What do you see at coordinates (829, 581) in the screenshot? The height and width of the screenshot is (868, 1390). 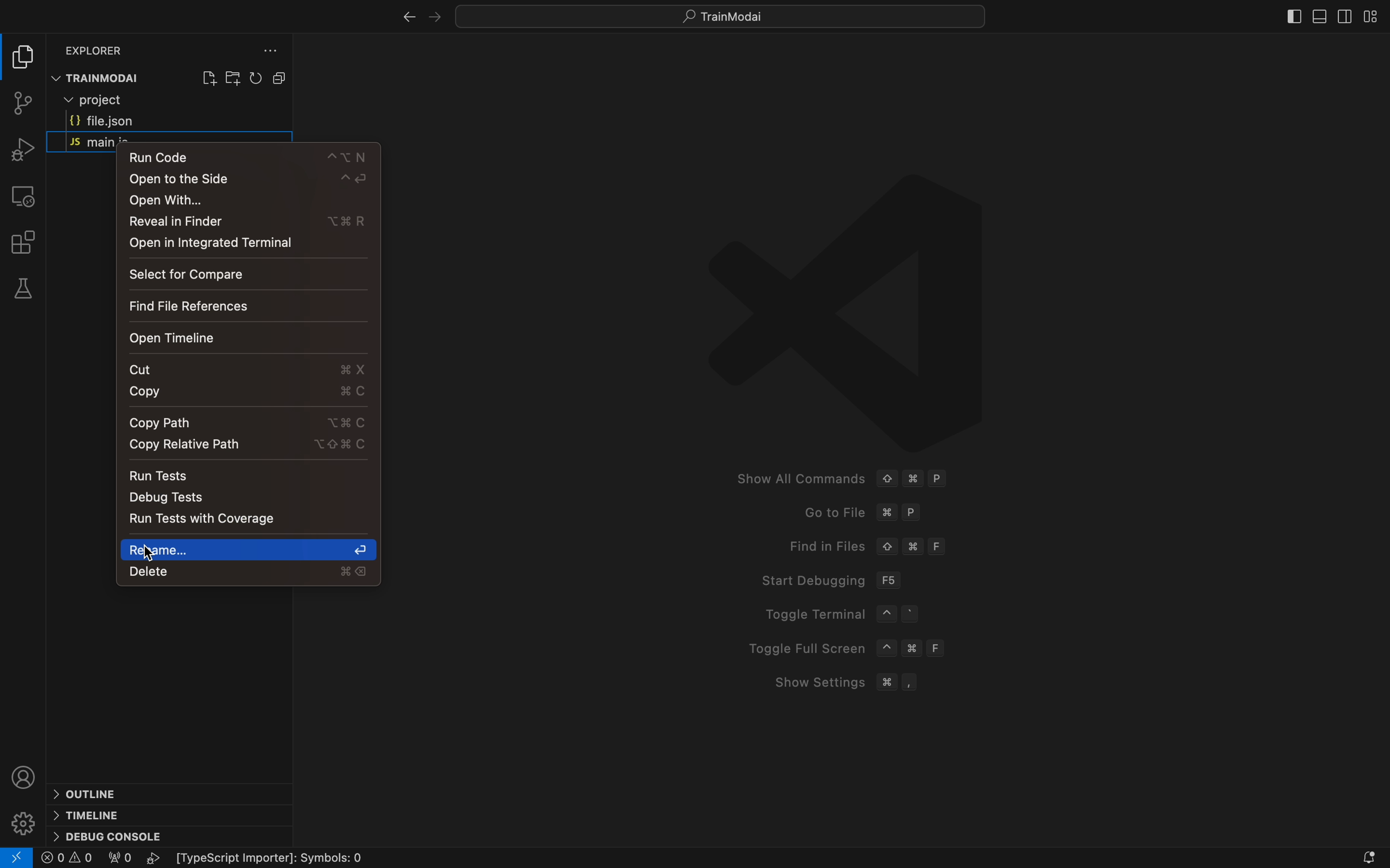 I see `Start debugging` at bounding box center [829, 581].